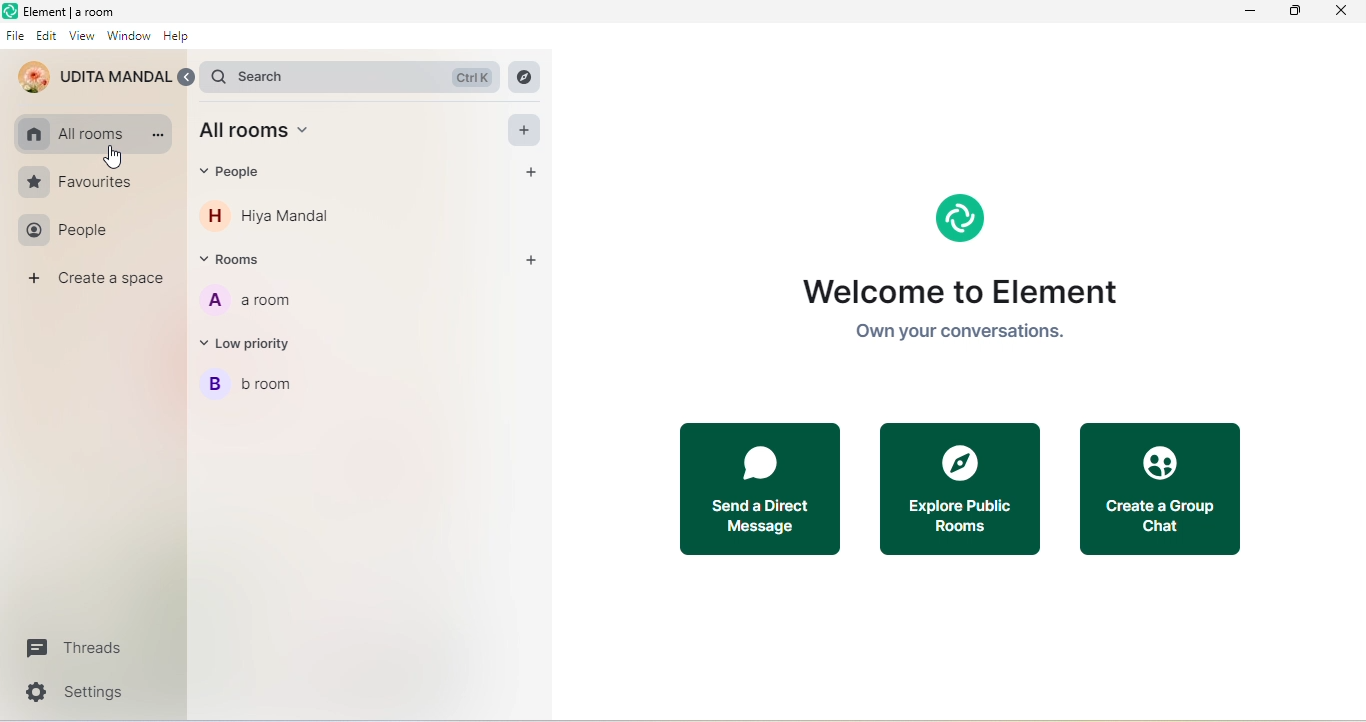 The width and height of the screenshot is (1366, 722). What do you see at coordinates (527, 132) in the screenshot?
I see `Add All Rooms` at bounding box center [527, 132].